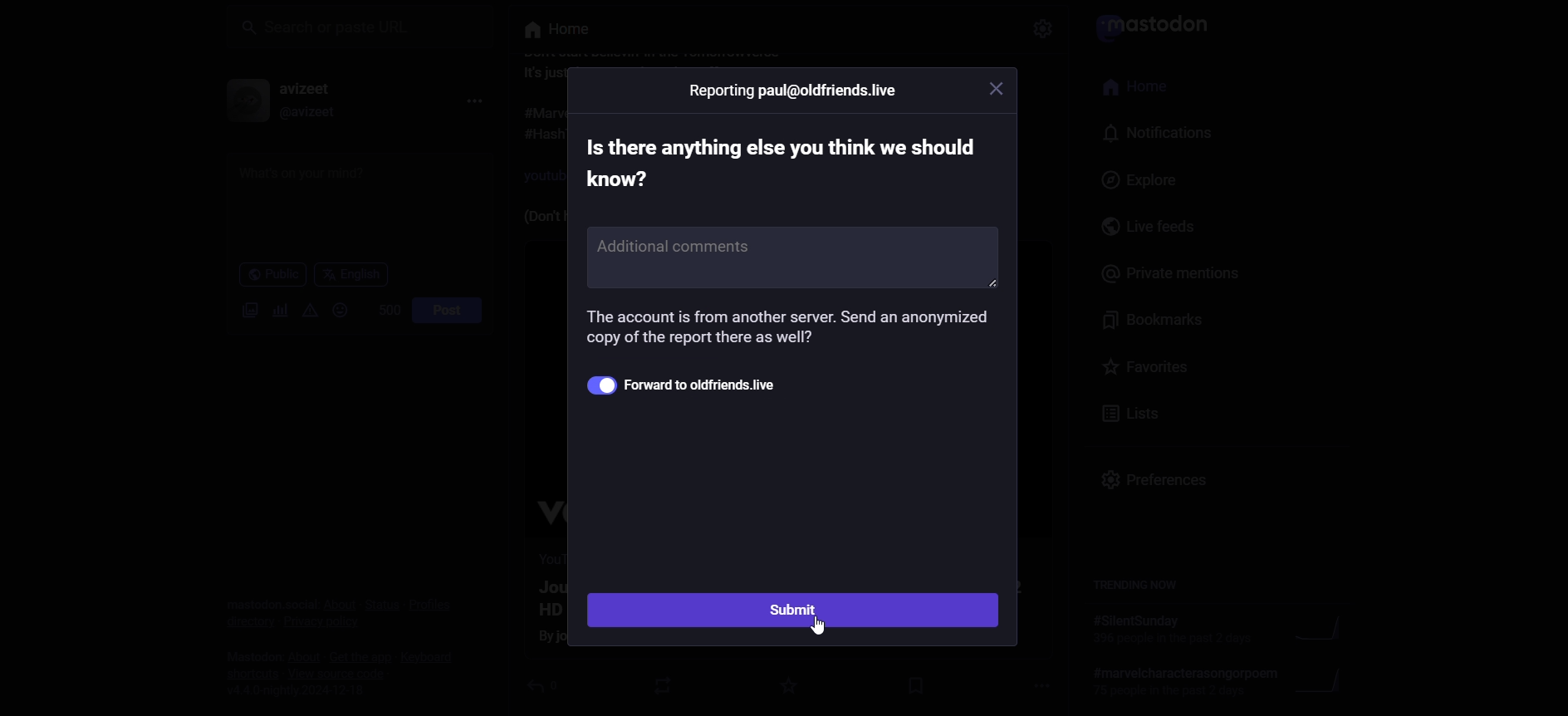 The image size is (1568, 716). Describe the element at coordinates (1143, 89) in the screenshot. I see `home` at that location.